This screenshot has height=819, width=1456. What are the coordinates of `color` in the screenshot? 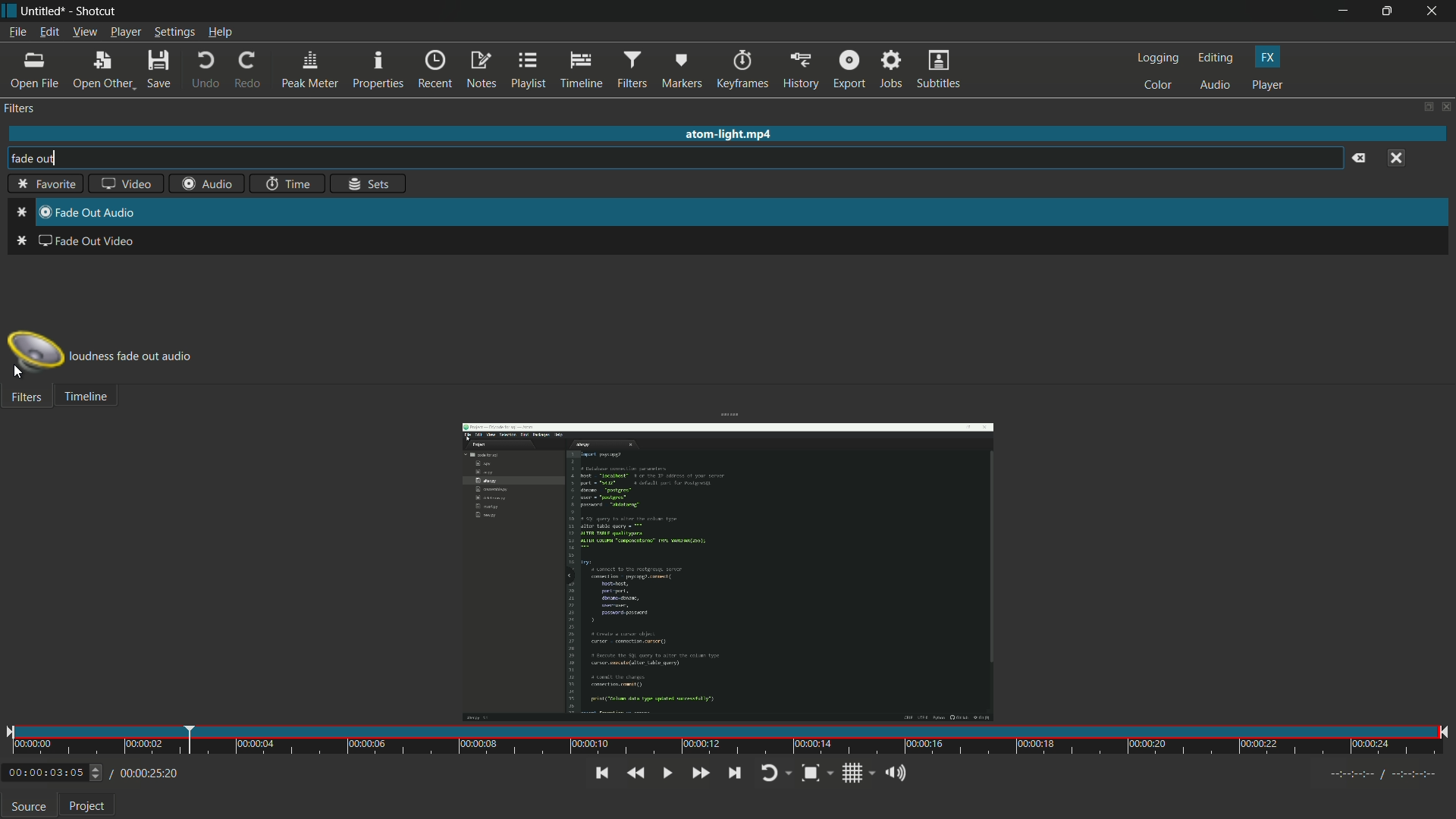 It's located at (1157, 85).